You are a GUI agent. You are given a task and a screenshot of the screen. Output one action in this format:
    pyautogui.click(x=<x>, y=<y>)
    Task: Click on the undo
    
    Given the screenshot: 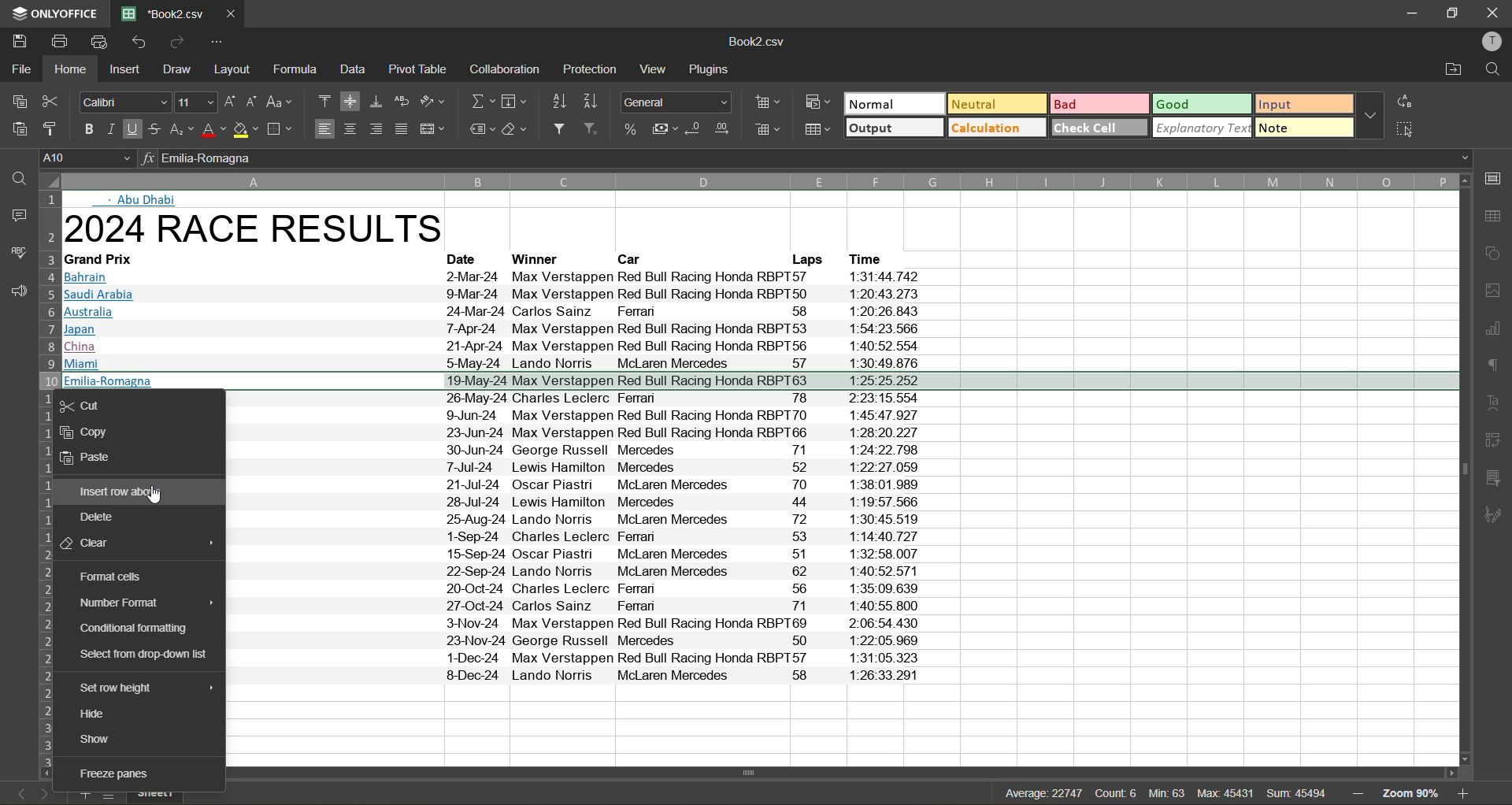 What is the action you would take?
    pyautogui.click(x=139, y=43)
    